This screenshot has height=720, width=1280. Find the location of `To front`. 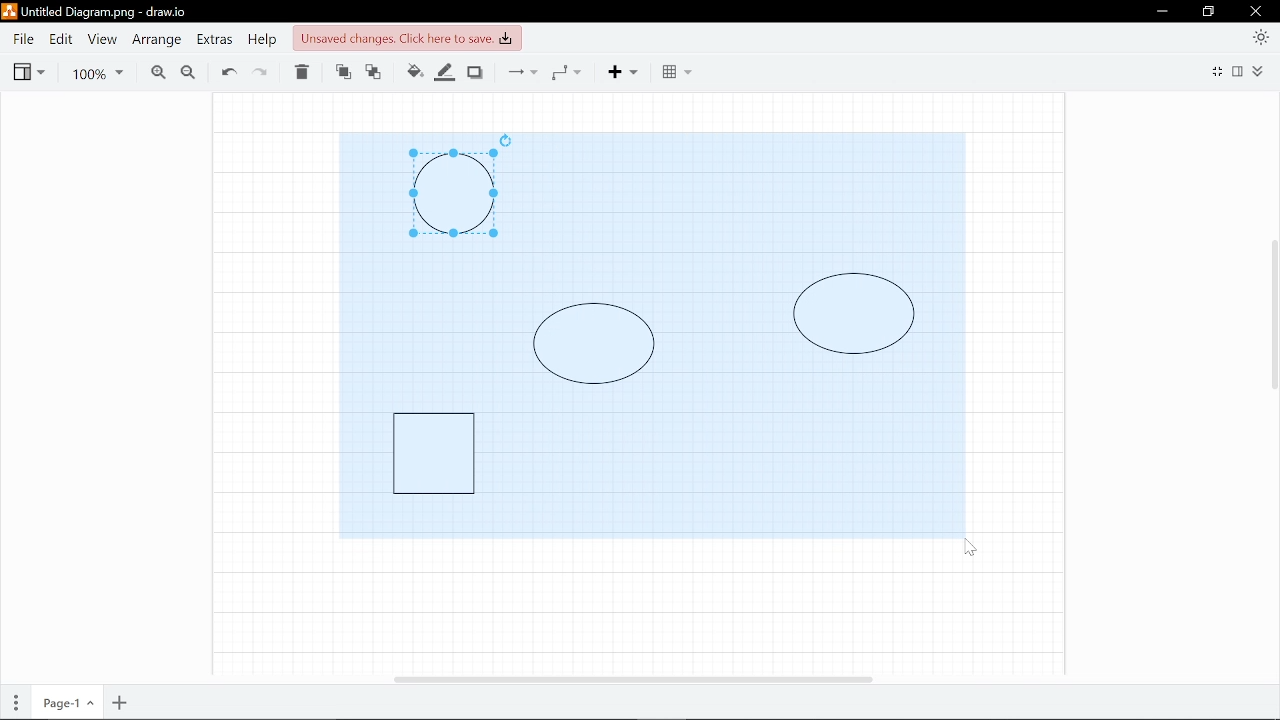

To front is located at coordinates (342, 73).